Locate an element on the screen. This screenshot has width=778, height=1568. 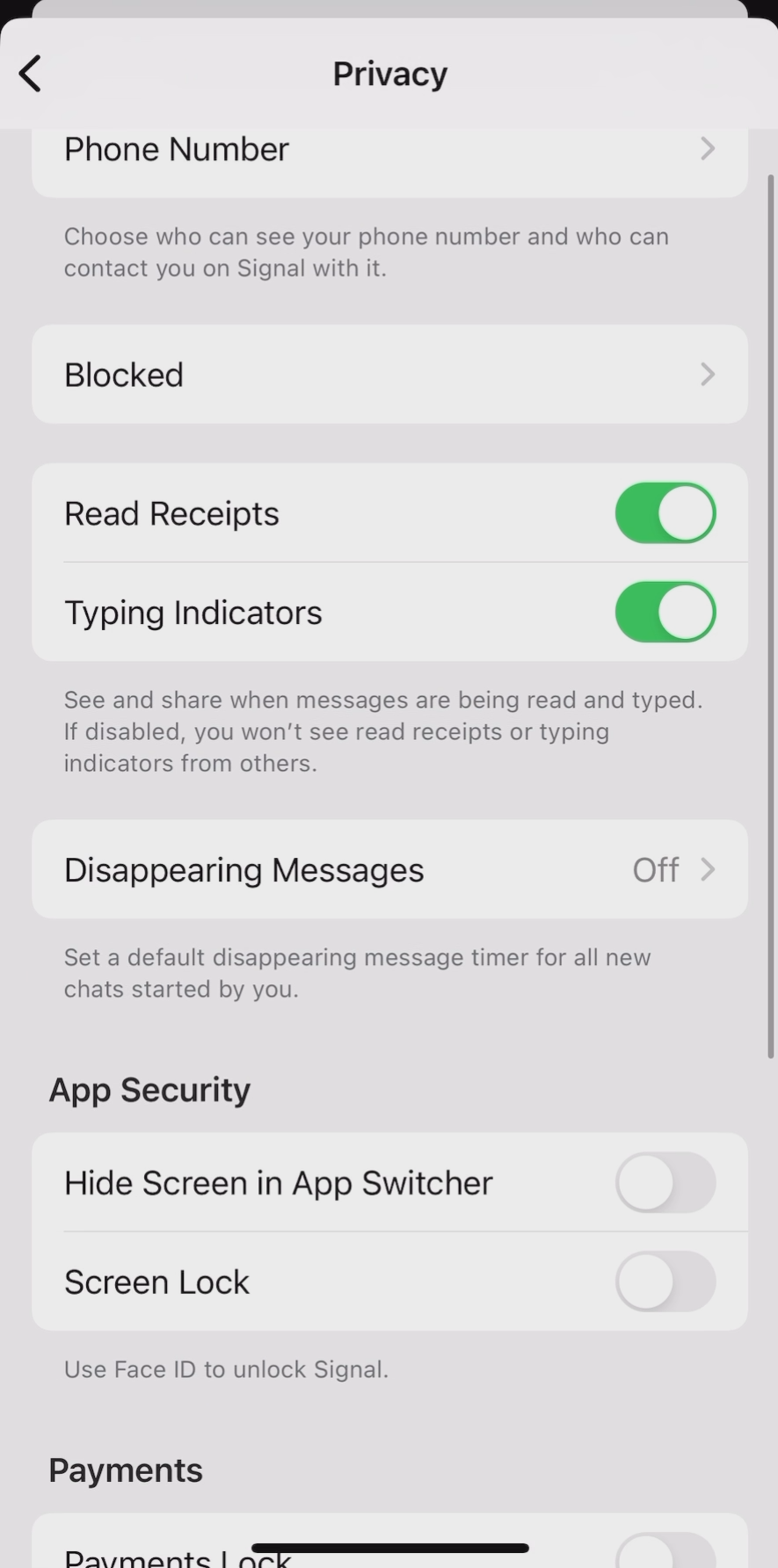
phone number is located at coordinates (390, 150).